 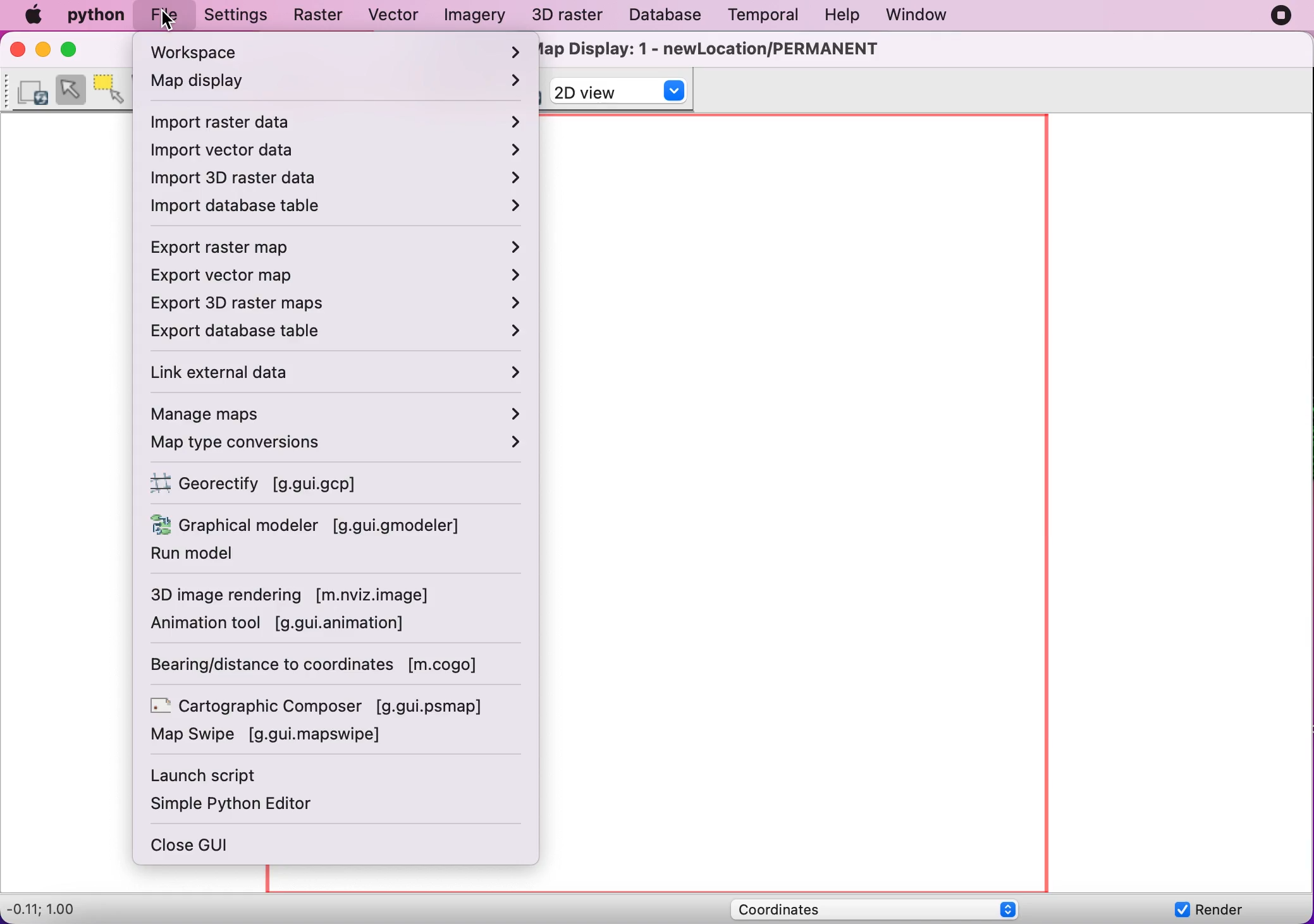 I want to click on database, so click(x=668, y=16).